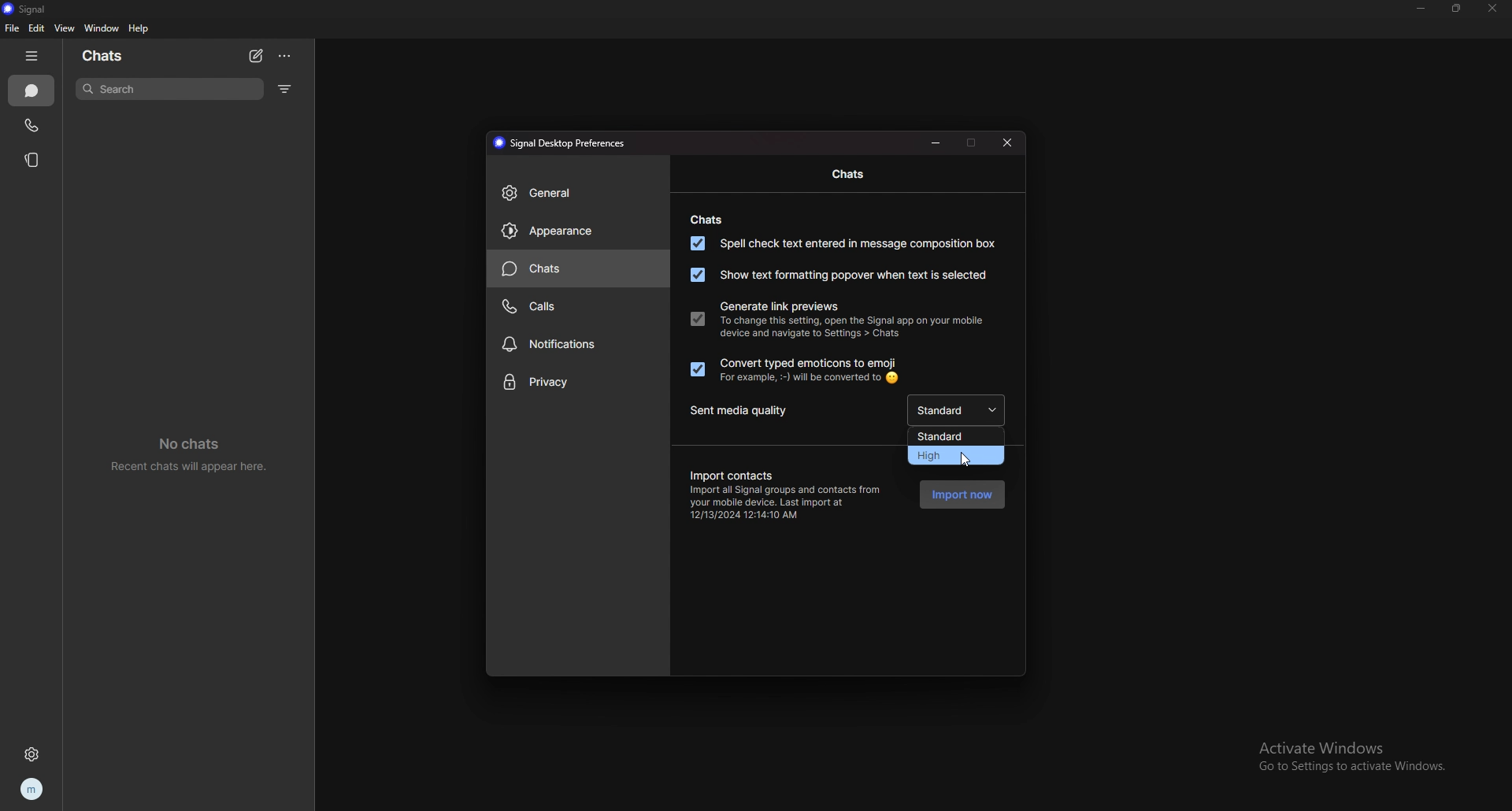  What do you see at coordinates (578, 346) in the screenshot?
I see `notifications` at bounding box center [578, 346].